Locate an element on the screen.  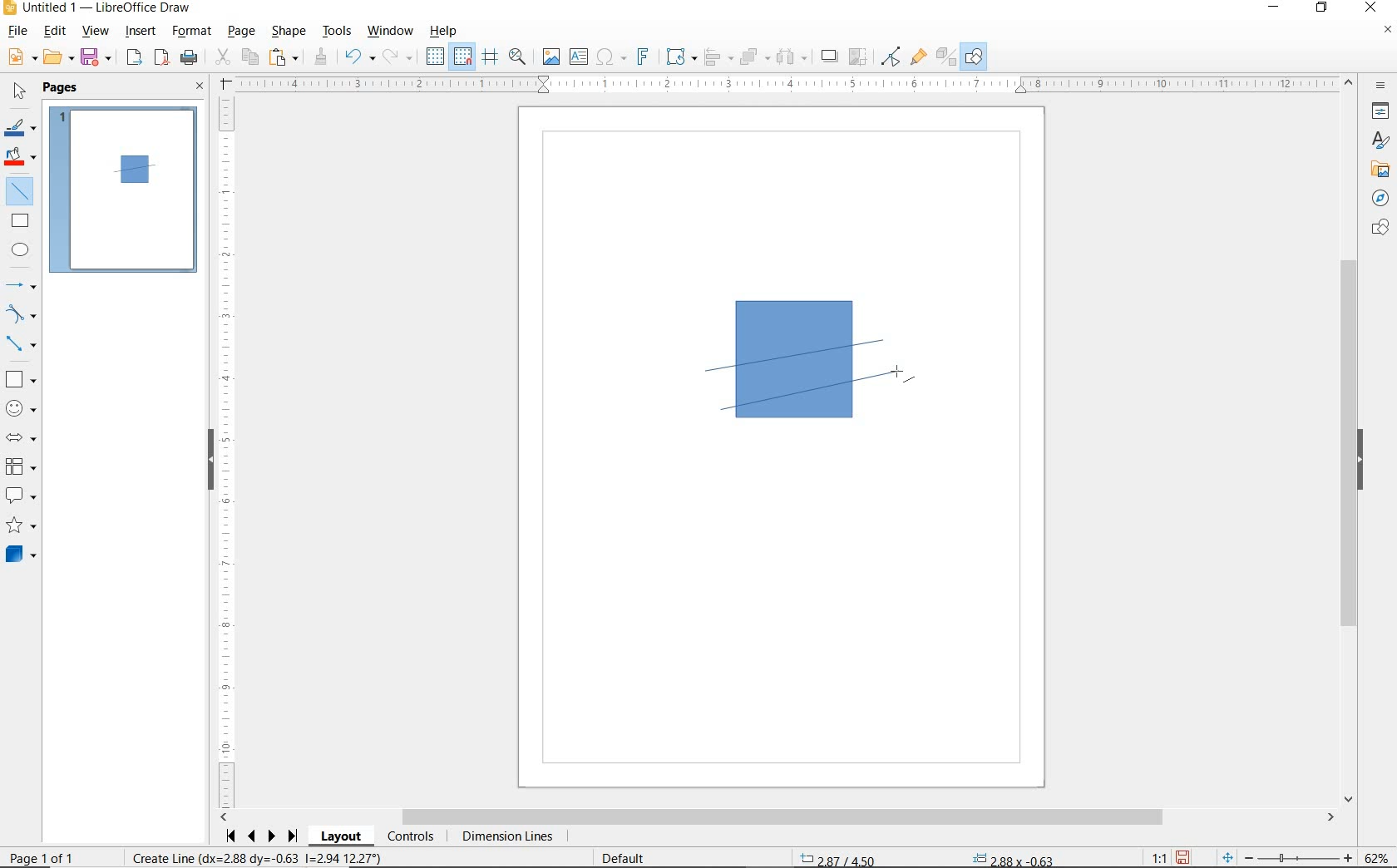
ZOOM FACTOR is located at coordinates (1375, 858).